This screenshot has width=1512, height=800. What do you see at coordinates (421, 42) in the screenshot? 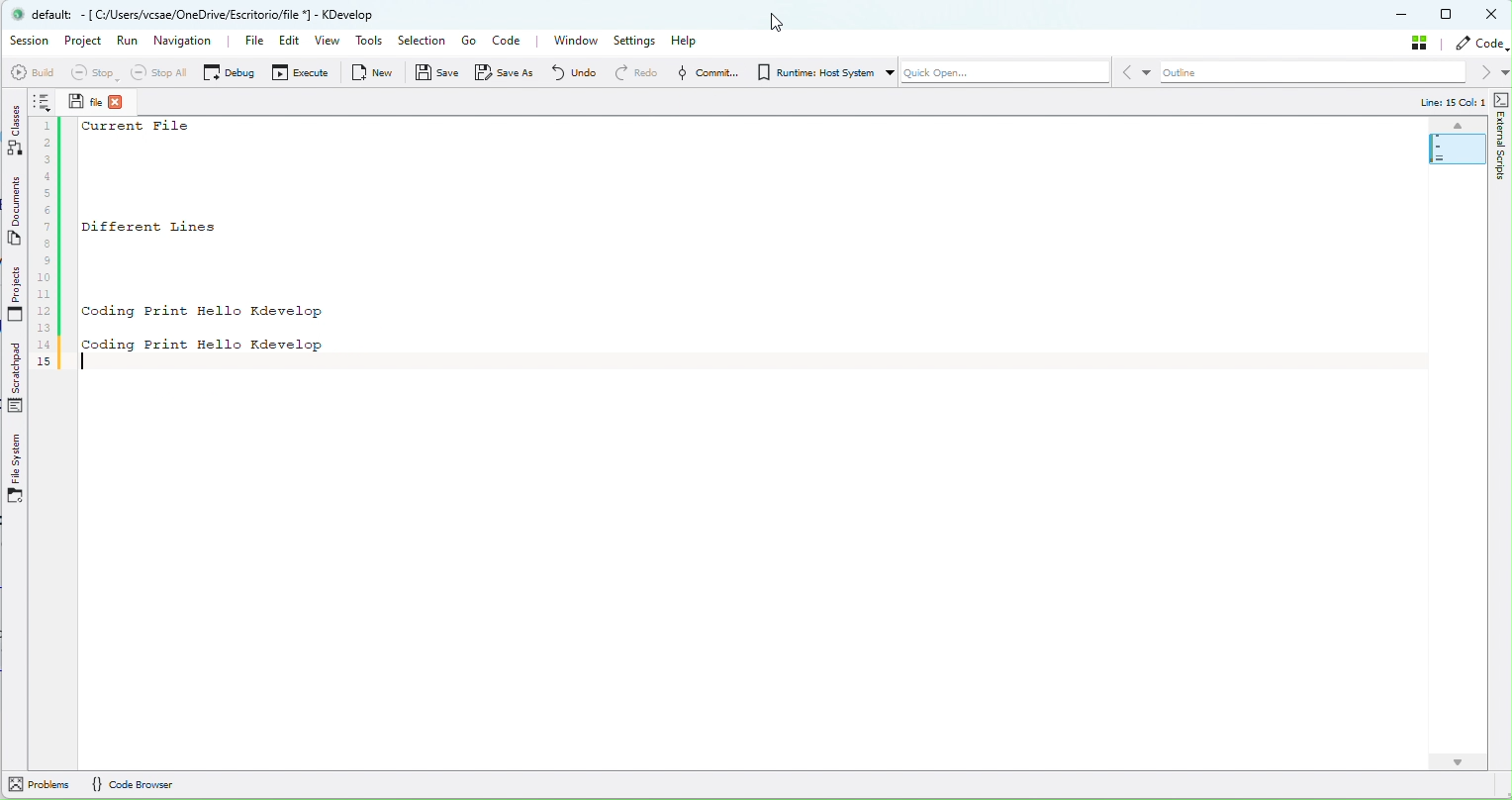
I see `Selection` at bounding box center [421, 42].